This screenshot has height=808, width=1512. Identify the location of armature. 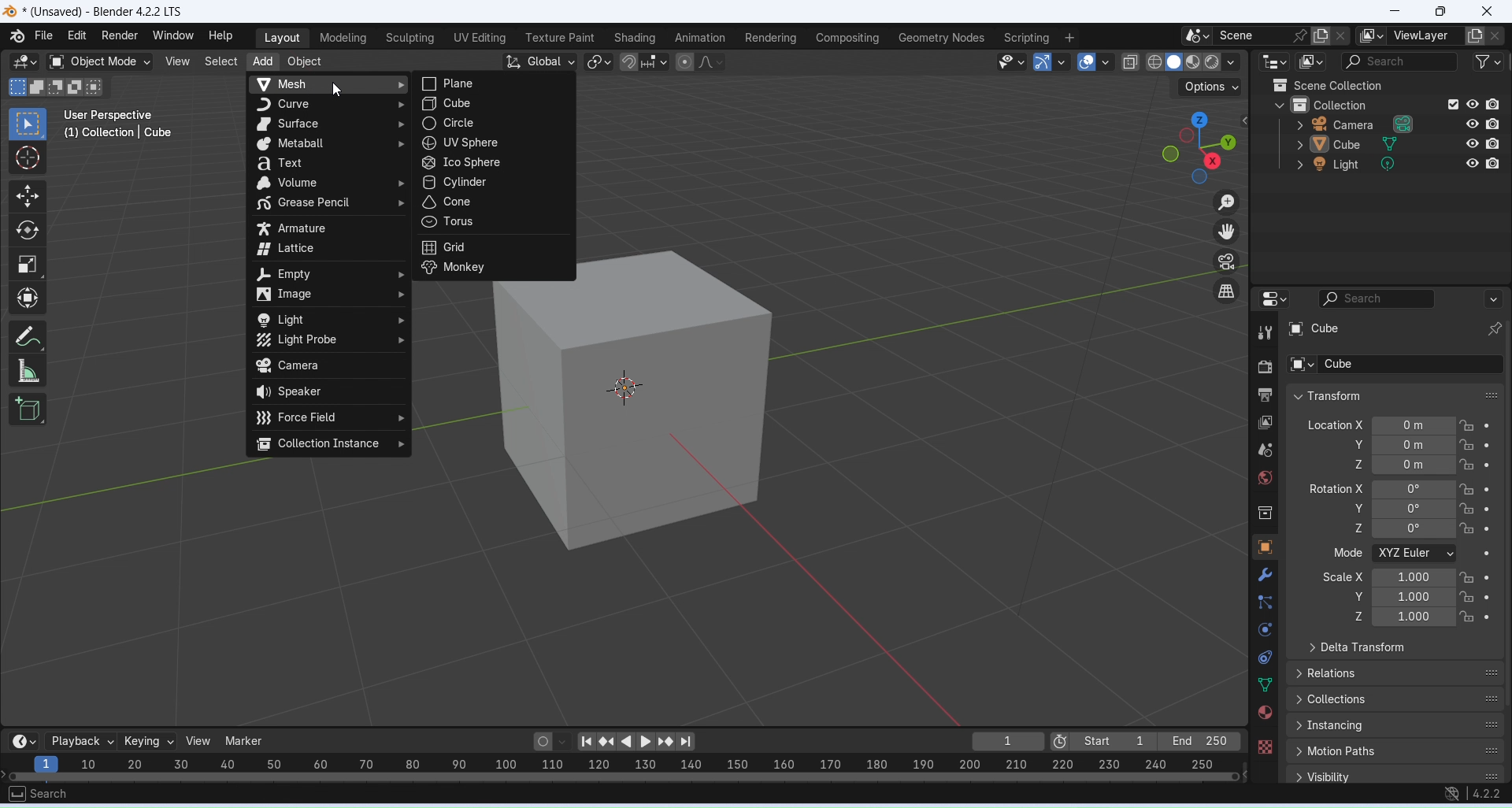
(328, 228).